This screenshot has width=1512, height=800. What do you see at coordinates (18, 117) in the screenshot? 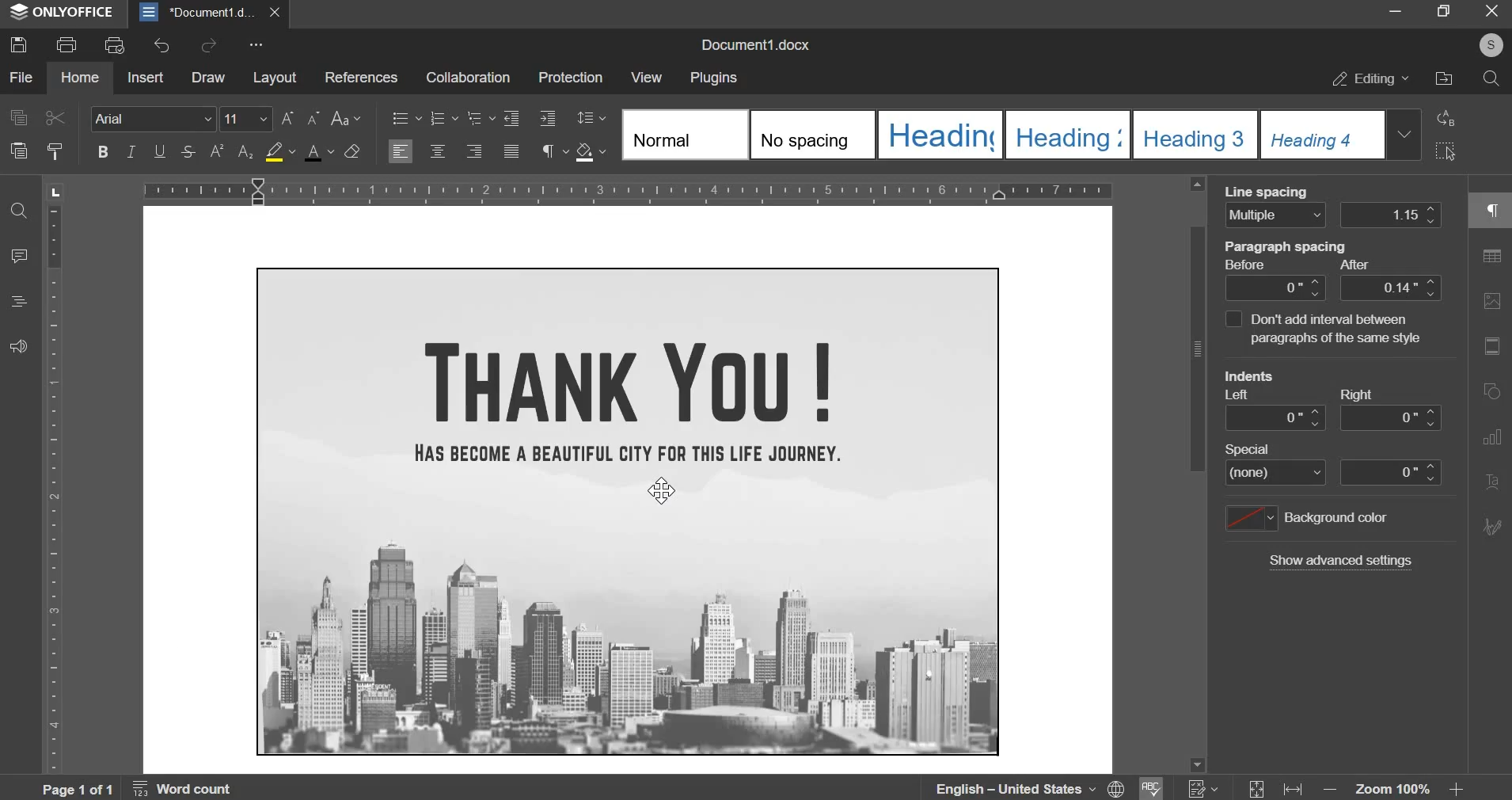
I see `copy` at bounding box center [18, 117].